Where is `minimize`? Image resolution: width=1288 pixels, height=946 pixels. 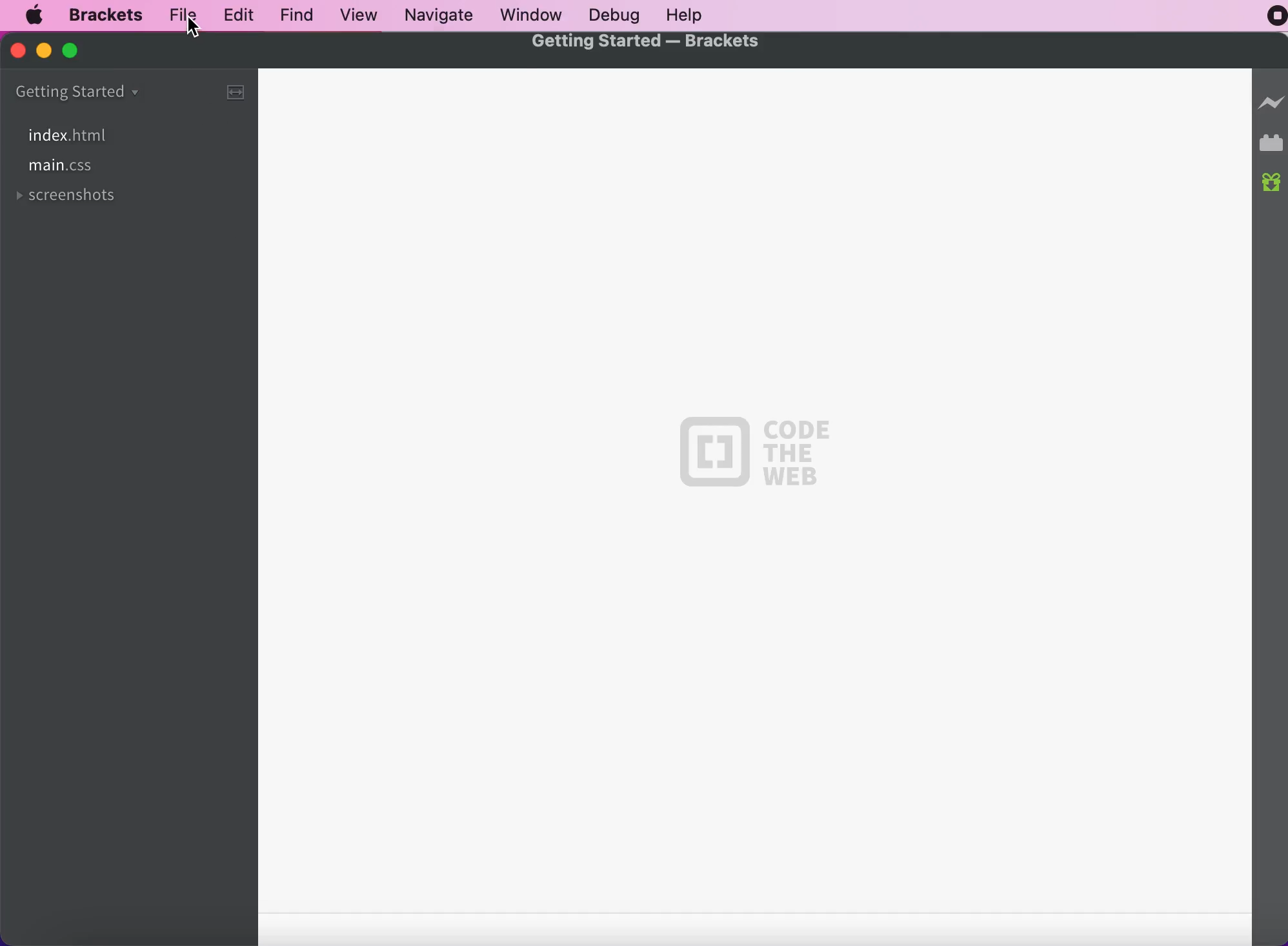 minimize is located at coordinates (45, 54).